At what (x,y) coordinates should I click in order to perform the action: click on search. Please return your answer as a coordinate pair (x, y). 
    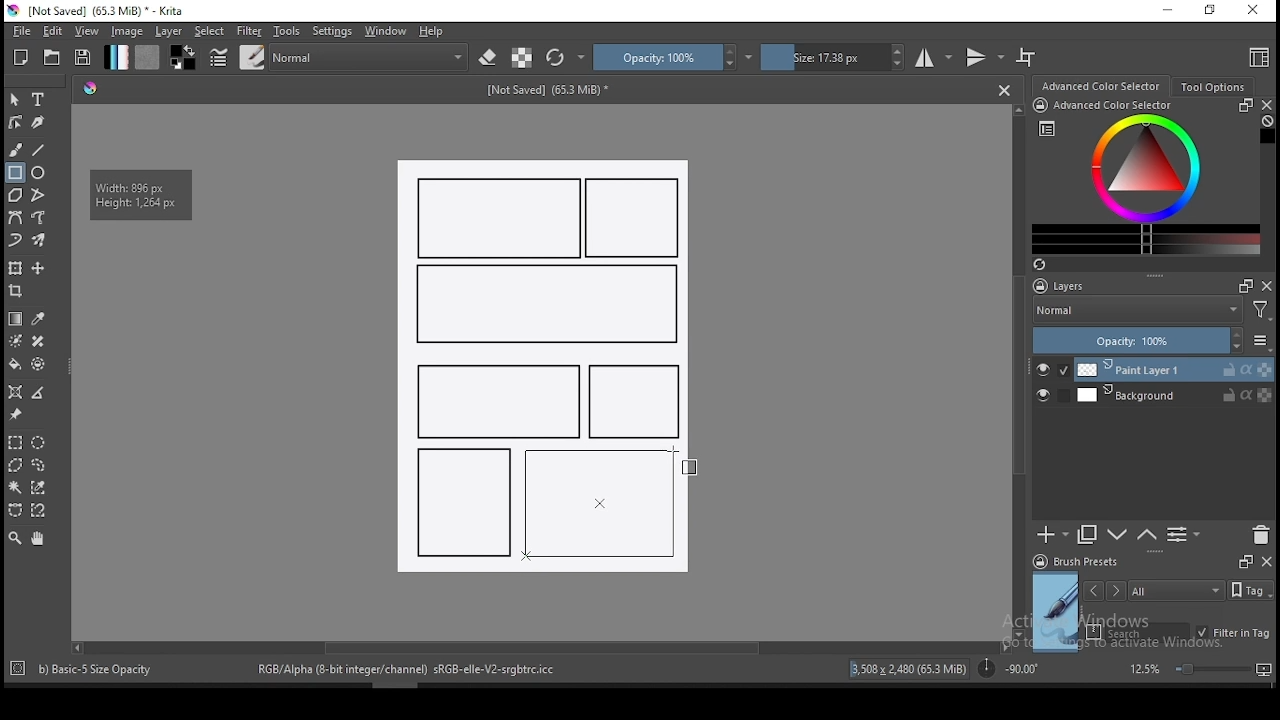
    Looking at the image, I should click on (1138, 632).